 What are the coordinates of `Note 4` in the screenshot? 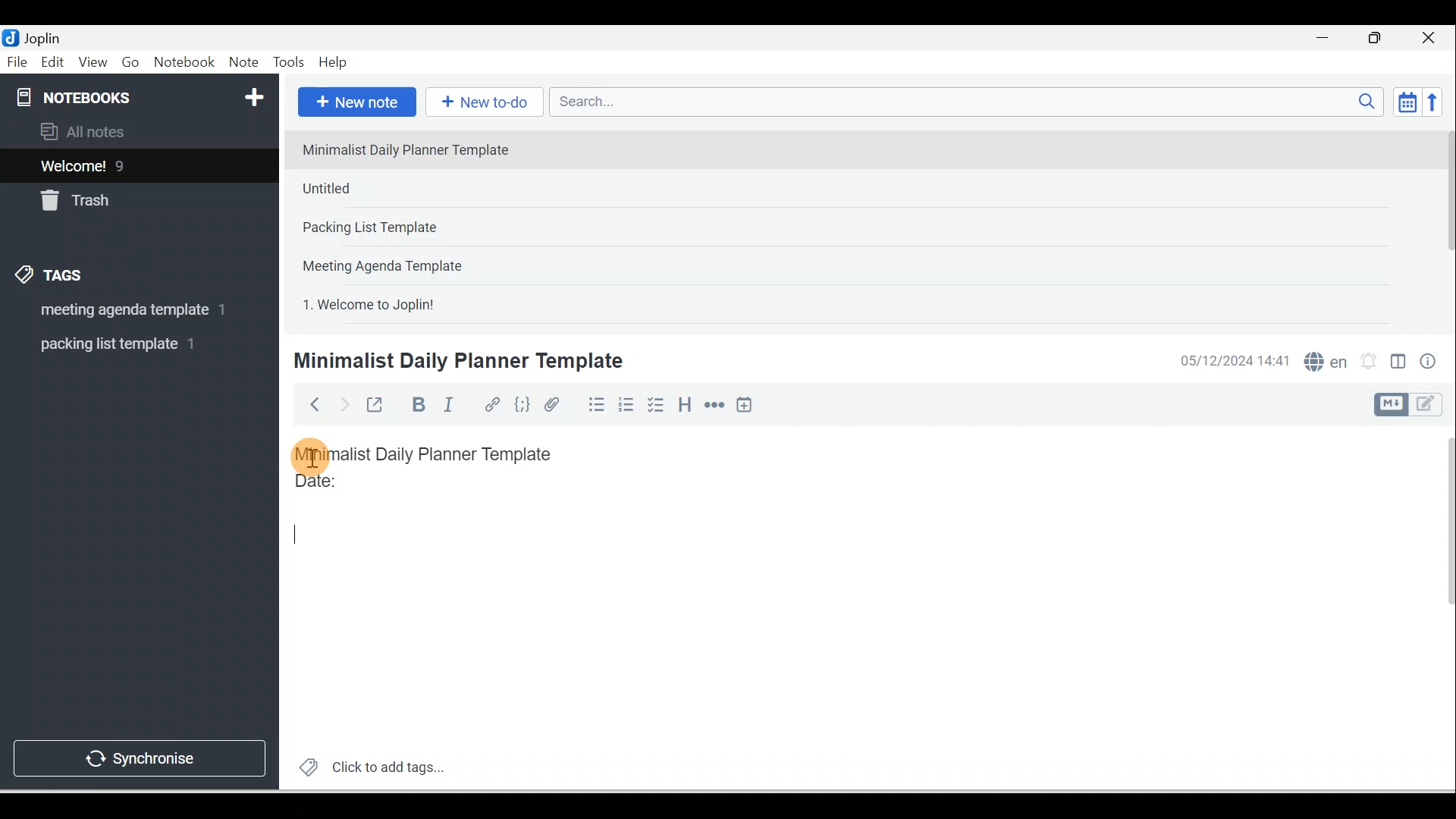 It's located at (403, 262).